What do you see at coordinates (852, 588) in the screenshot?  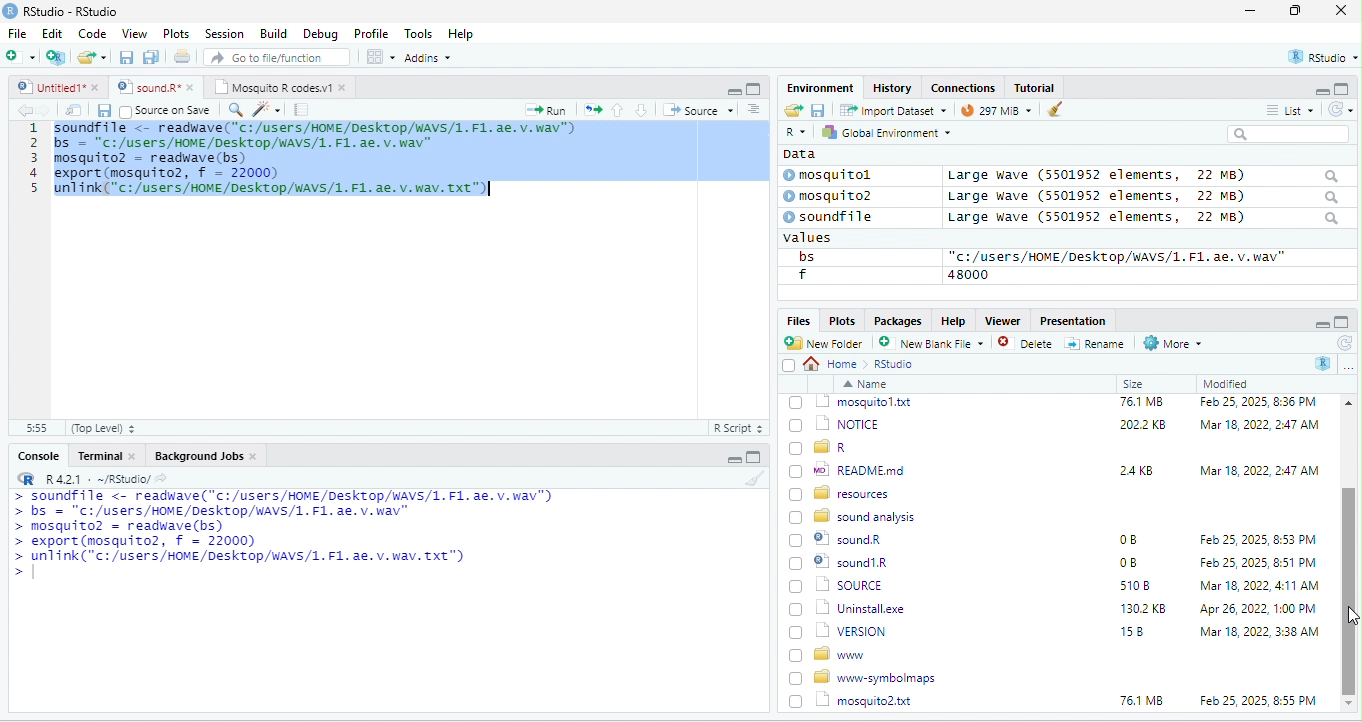 I see `wo| READMEmd` at bounding box center [852, 588].